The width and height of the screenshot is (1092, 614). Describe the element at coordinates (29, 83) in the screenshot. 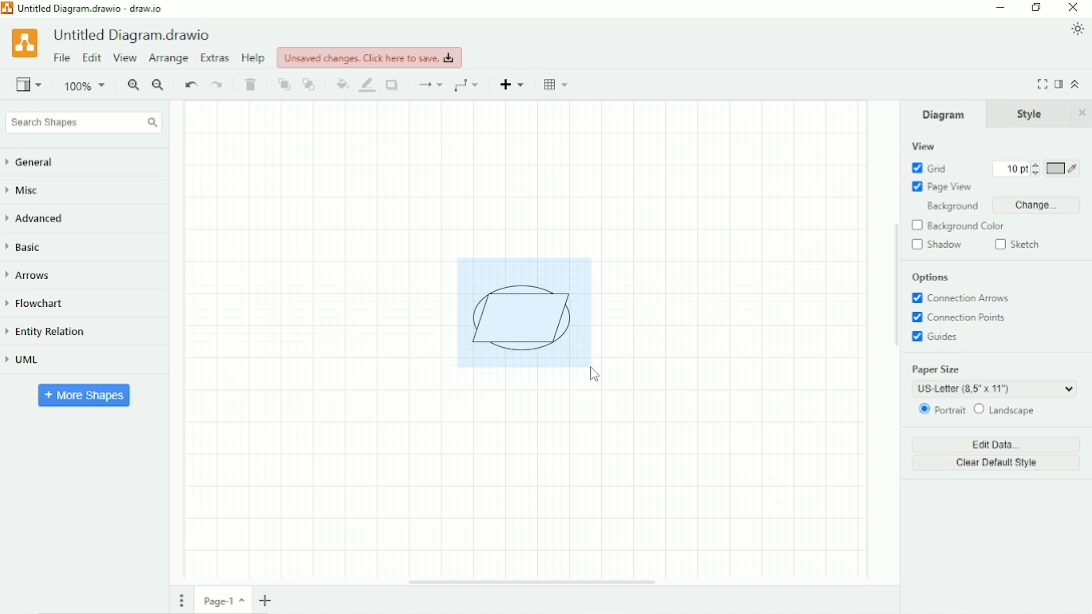

I see `View` at that location.